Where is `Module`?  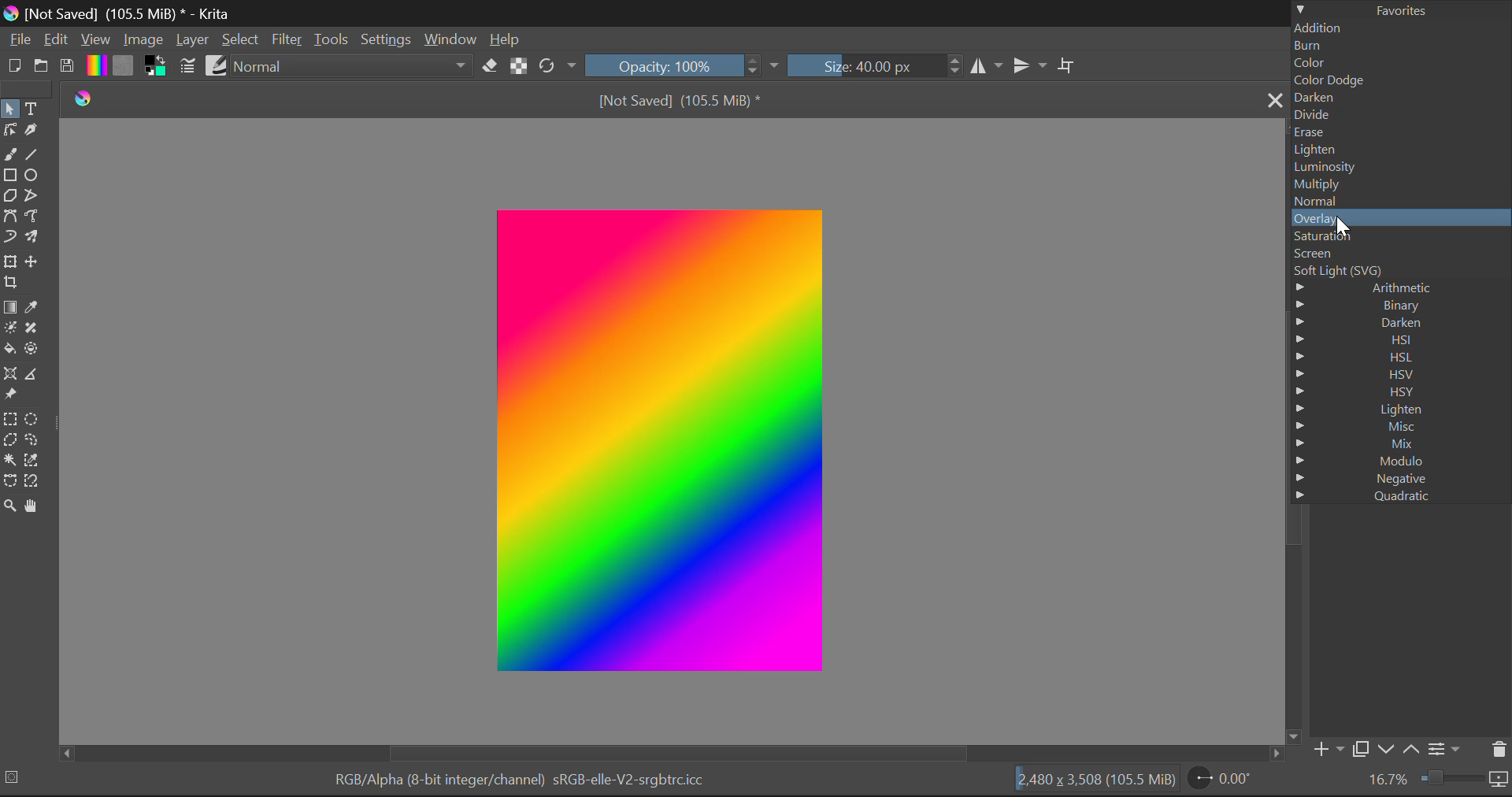
Module is located at coordinates (1399, 461).